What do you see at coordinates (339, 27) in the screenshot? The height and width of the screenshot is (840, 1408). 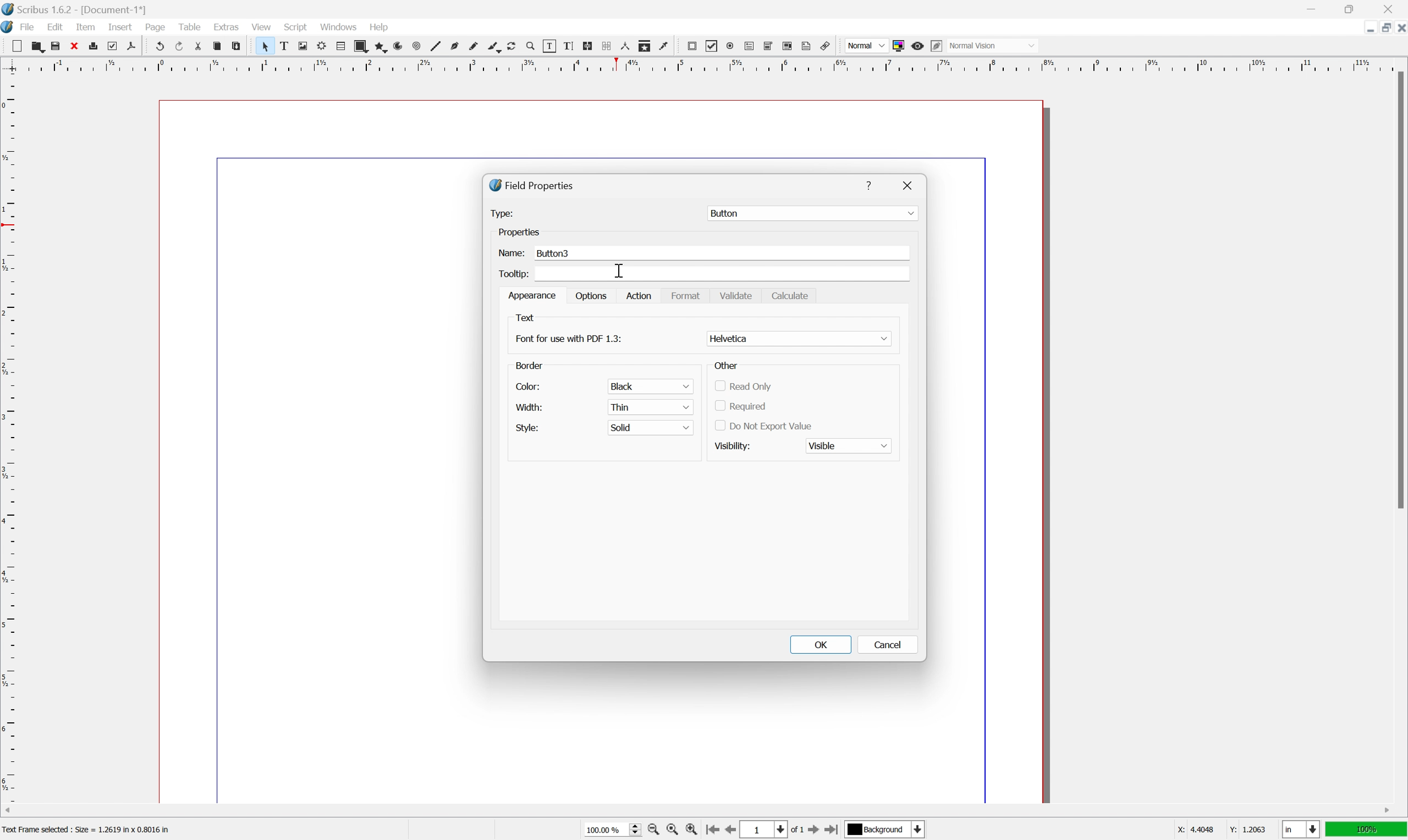 I see `windows` at bounding box center [339, 27].